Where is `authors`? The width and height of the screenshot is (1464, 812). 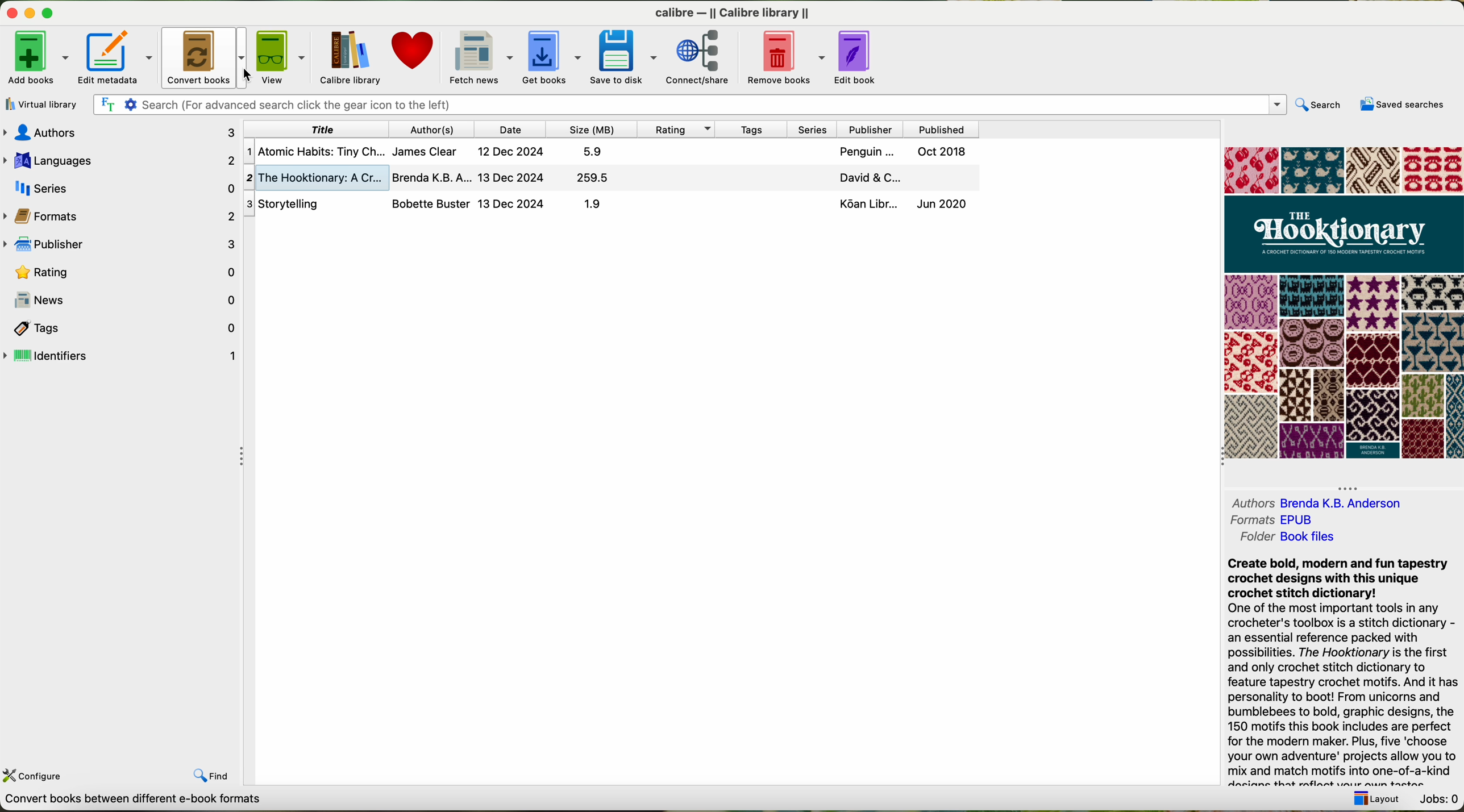 authors is located at coordinates (1250, 503).